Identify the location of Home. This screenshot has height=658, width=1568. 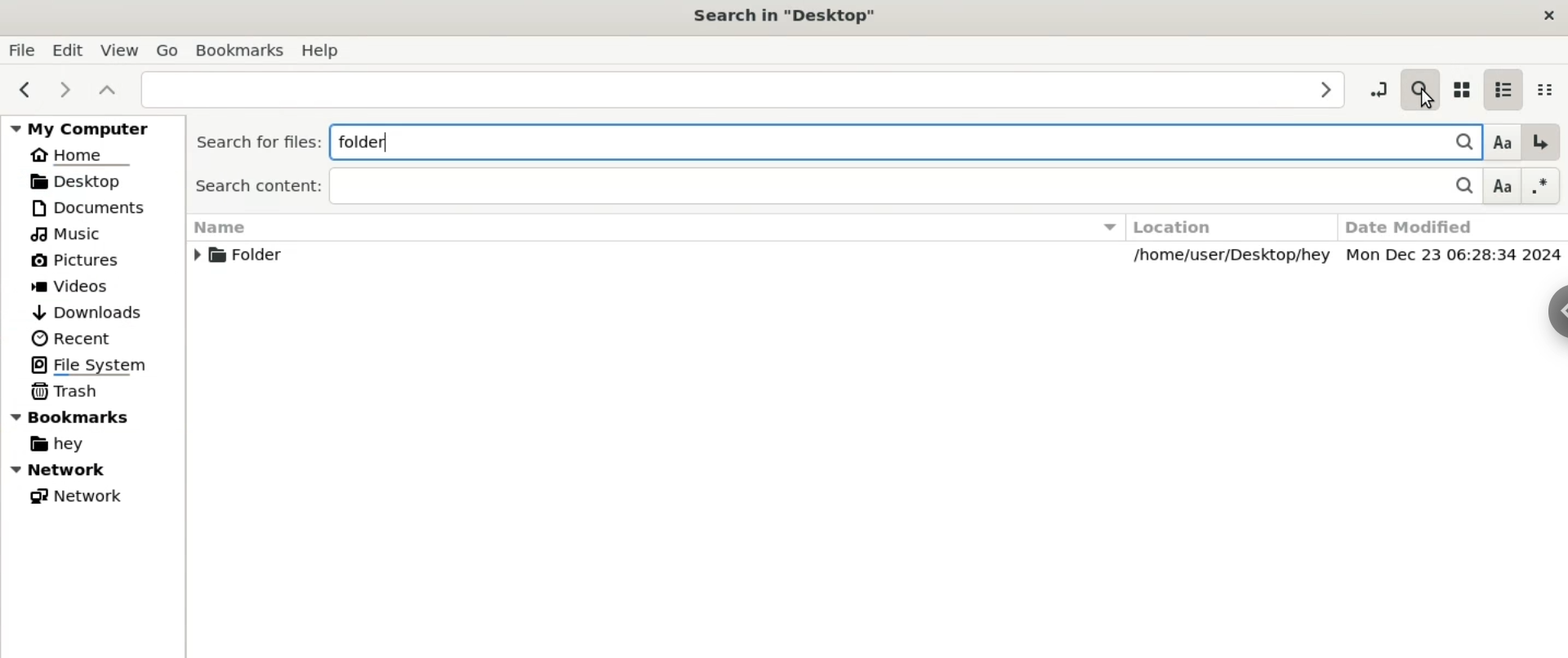
(81, 154).